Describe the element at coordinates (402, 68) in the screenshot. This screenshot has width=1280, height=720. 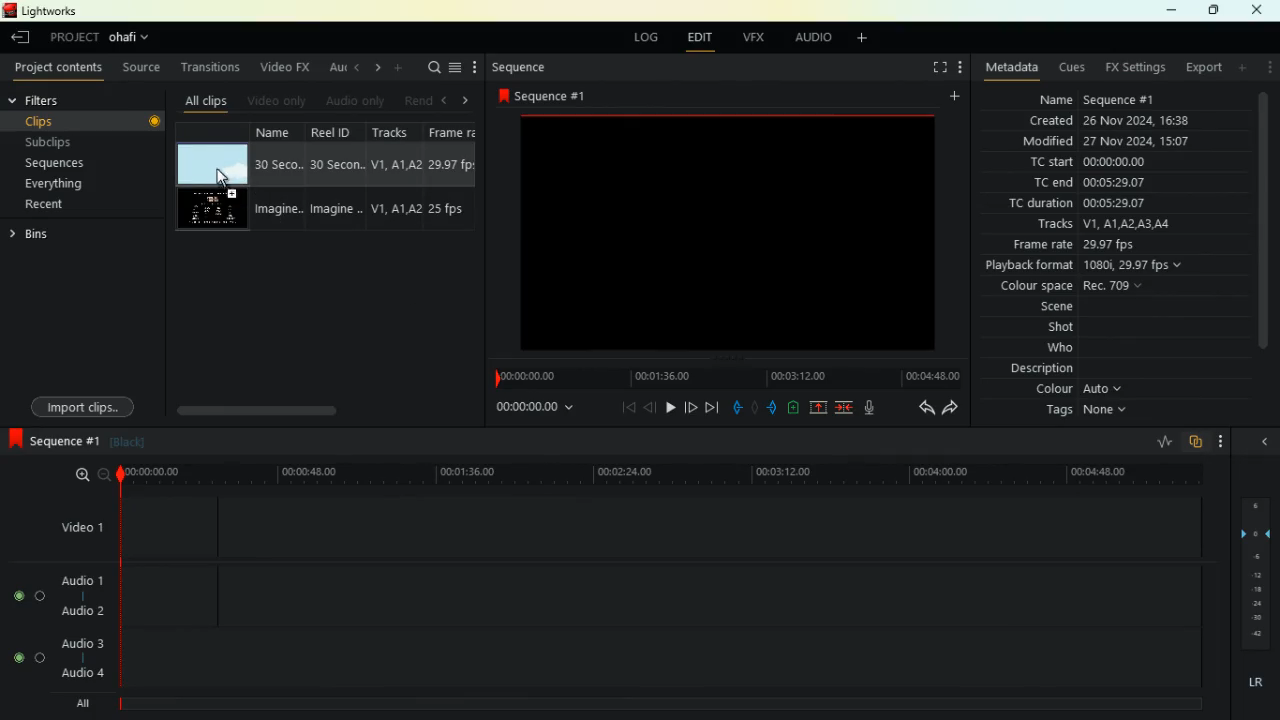
I see `add` at that location.